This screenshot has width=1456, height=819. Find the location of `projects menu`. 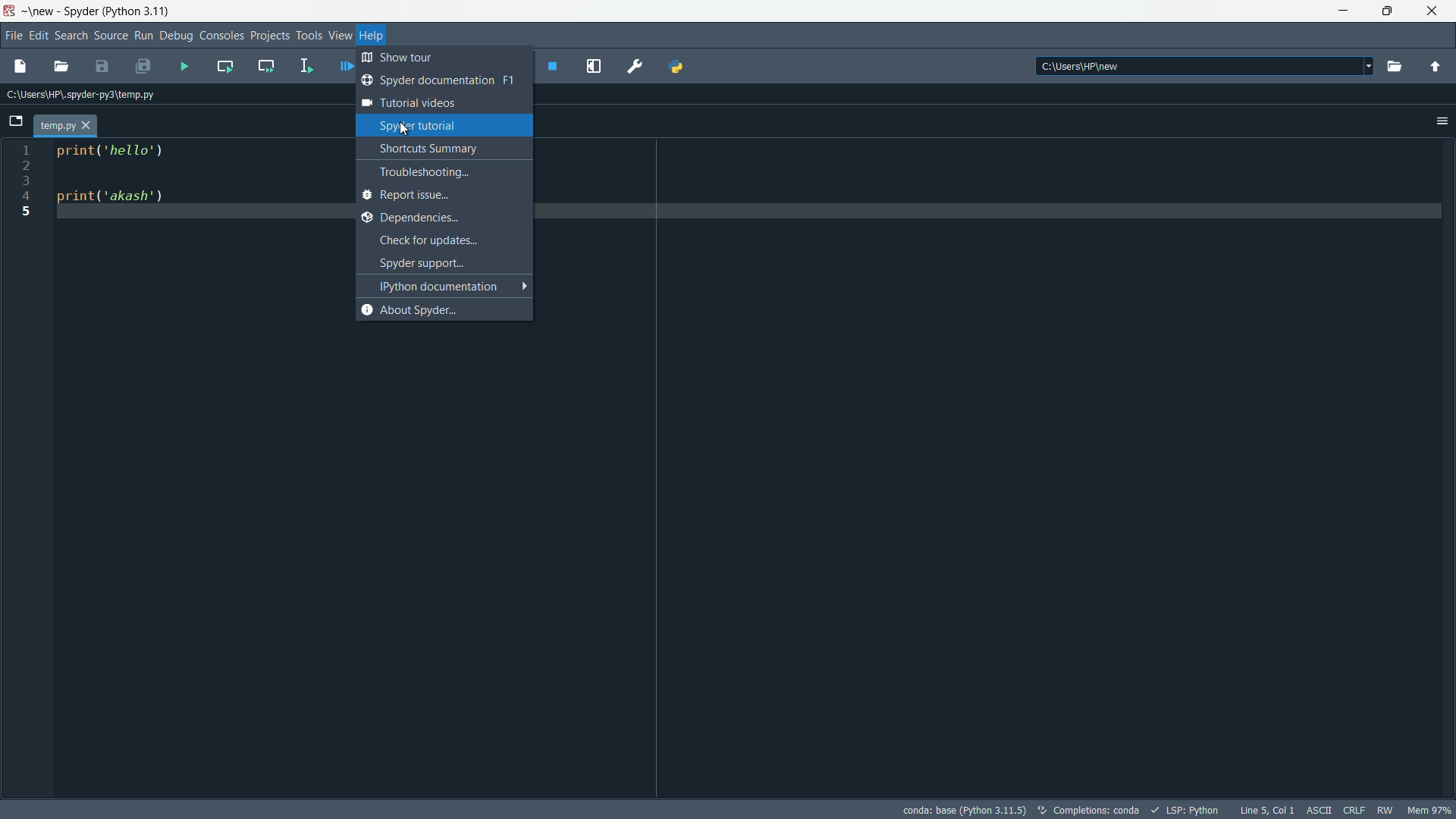

projects menu is located at coordinates (269, 36).